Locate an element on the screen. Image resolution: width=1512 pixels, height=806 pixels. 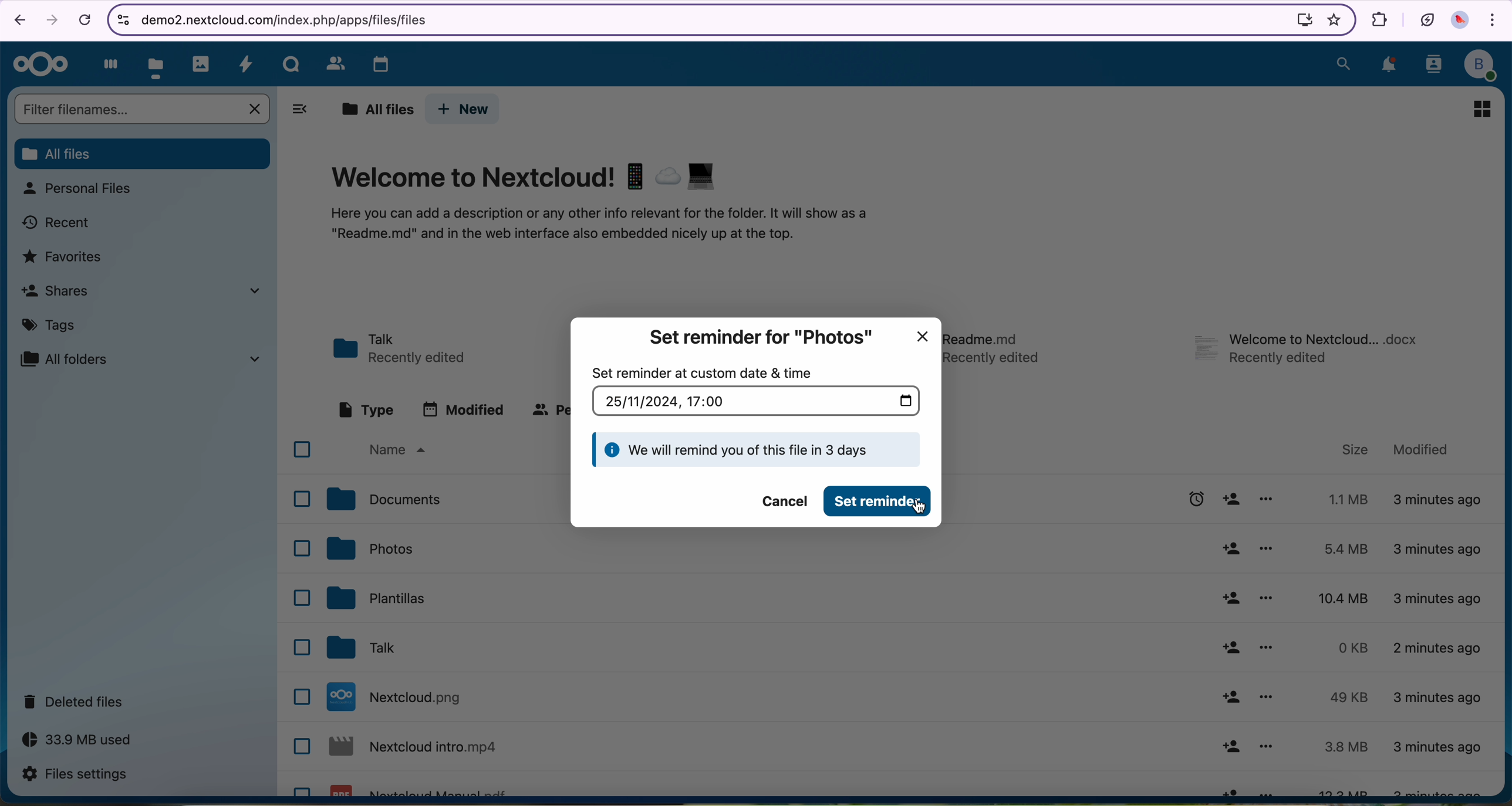
size is located at coordinates (1356, 450).